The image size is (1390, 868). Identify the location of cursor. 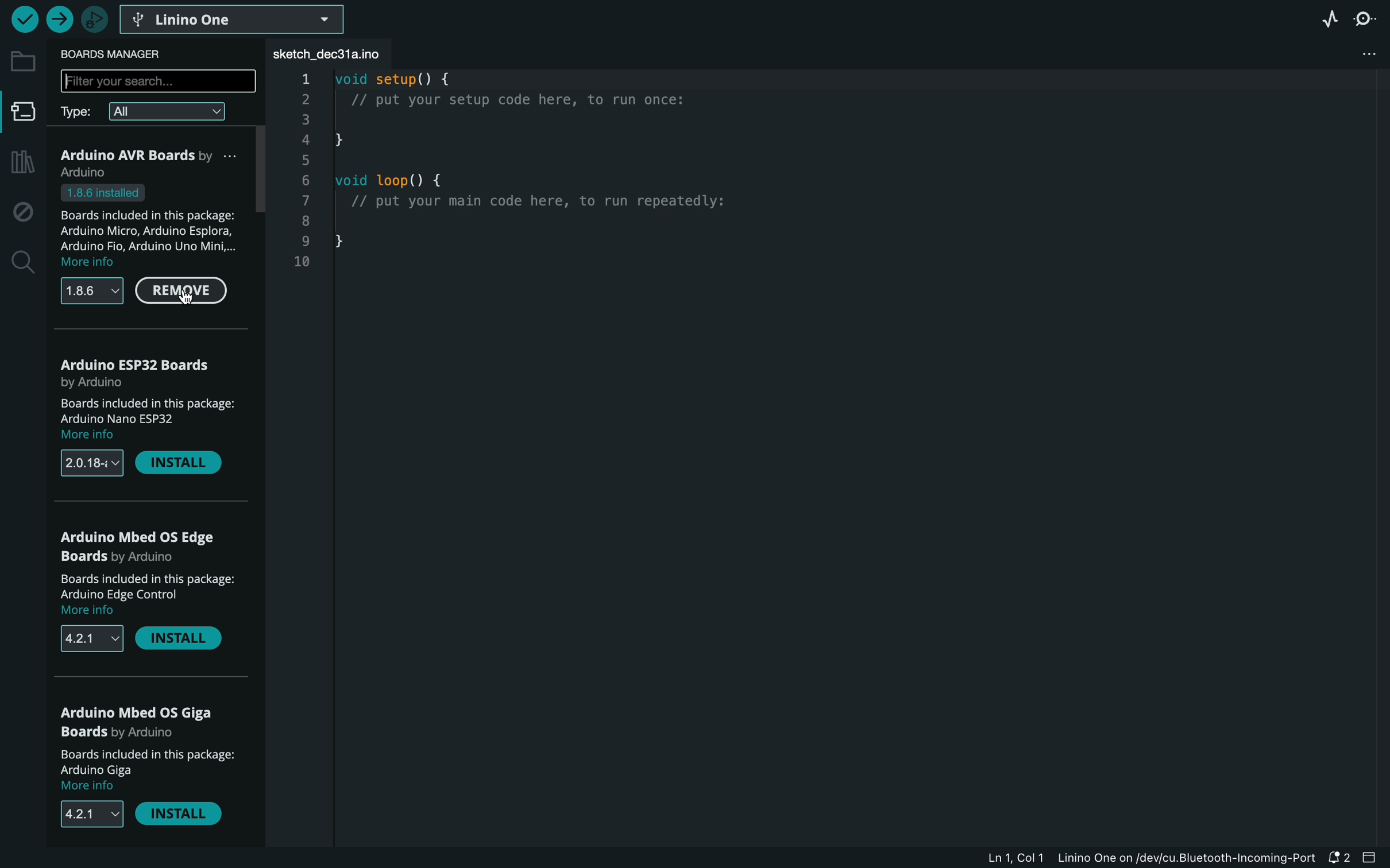
(183, 294).